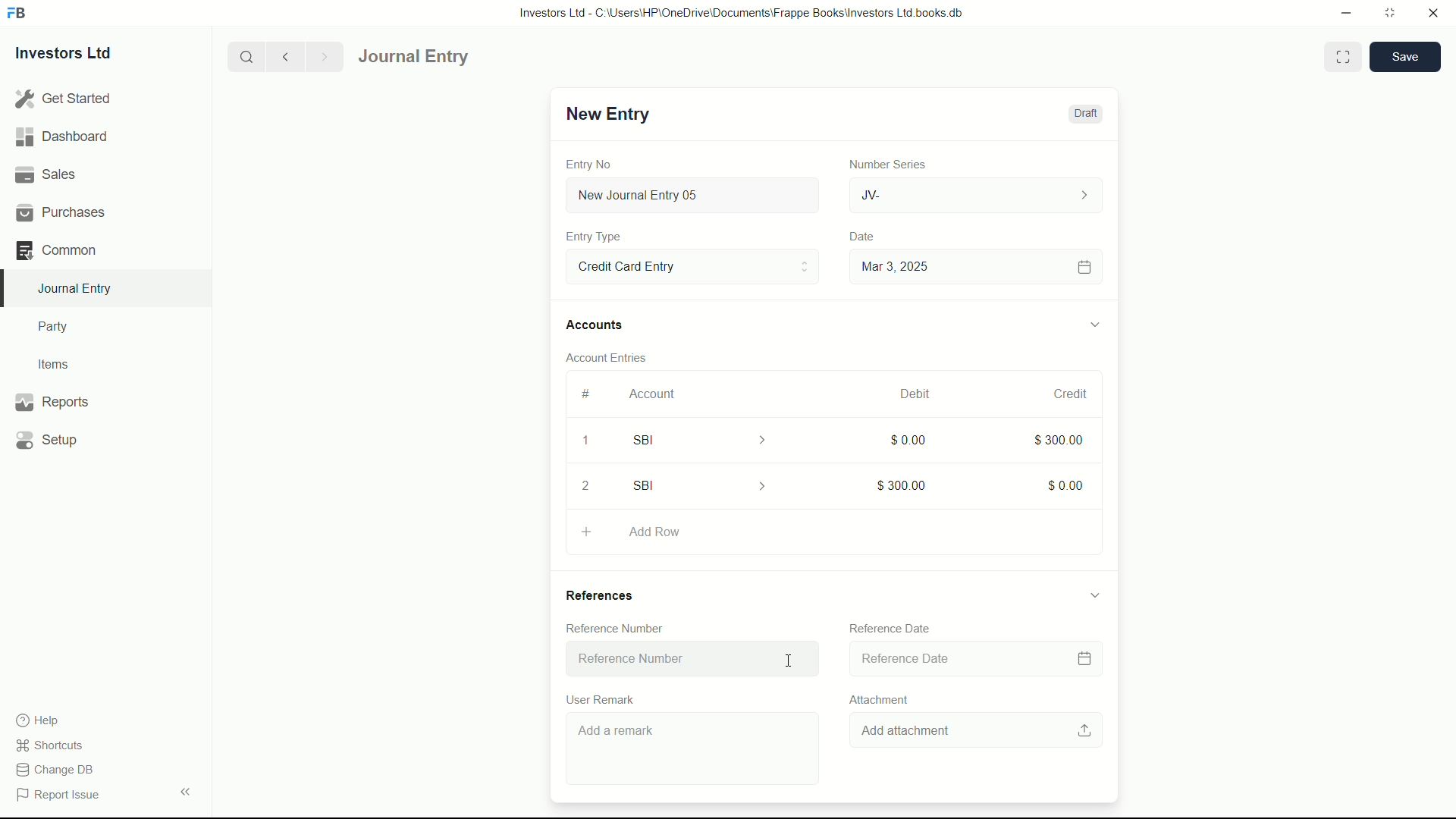 The height and width of the screenshot is (819, 1456). What do you see at coordinates (974, 266) in the screenshot?
I see `Mar 3, 2025` at bounding box center [974, 266].